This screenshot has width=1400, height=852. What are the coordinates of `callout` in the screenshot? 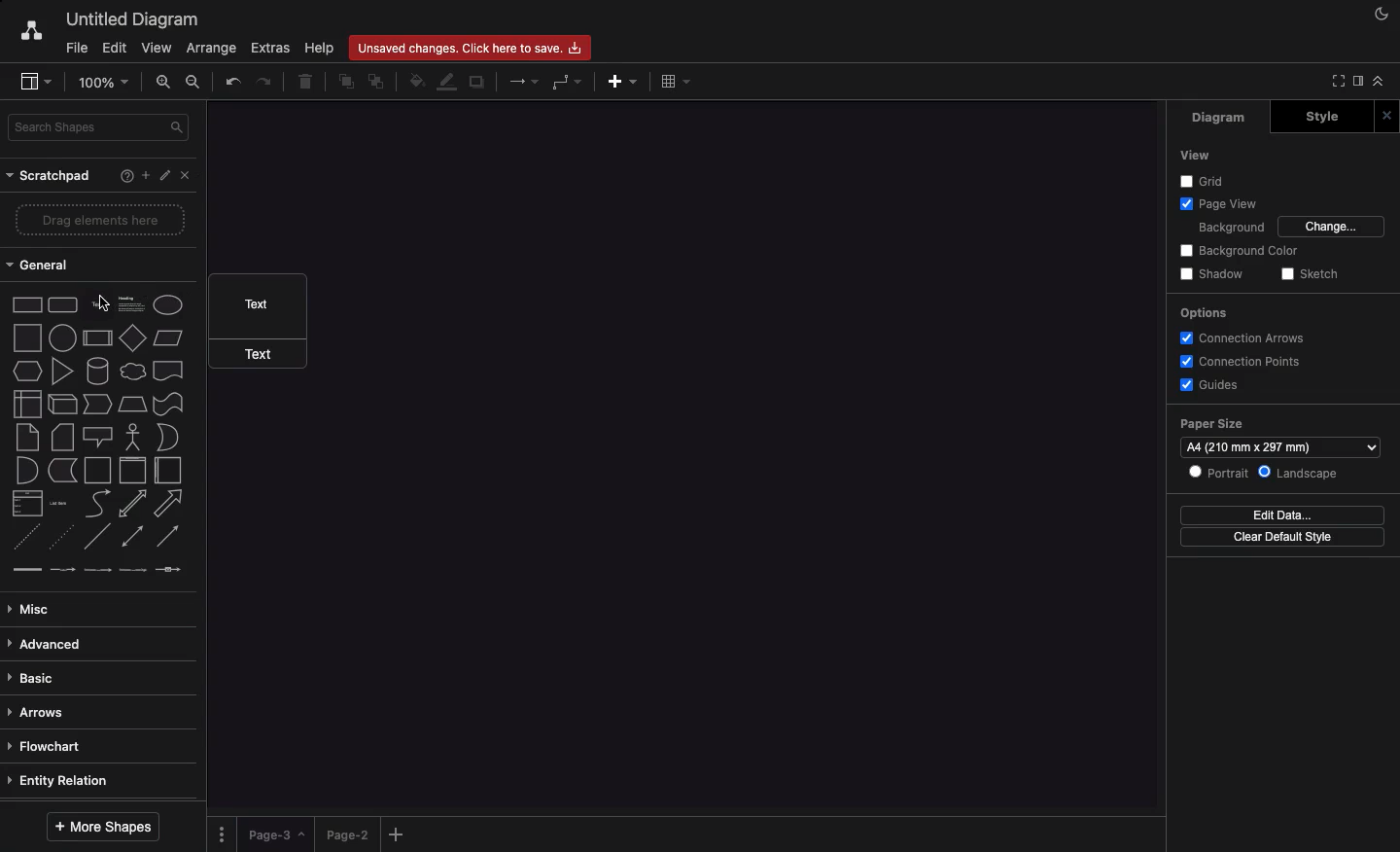 It's located at (98, 438).